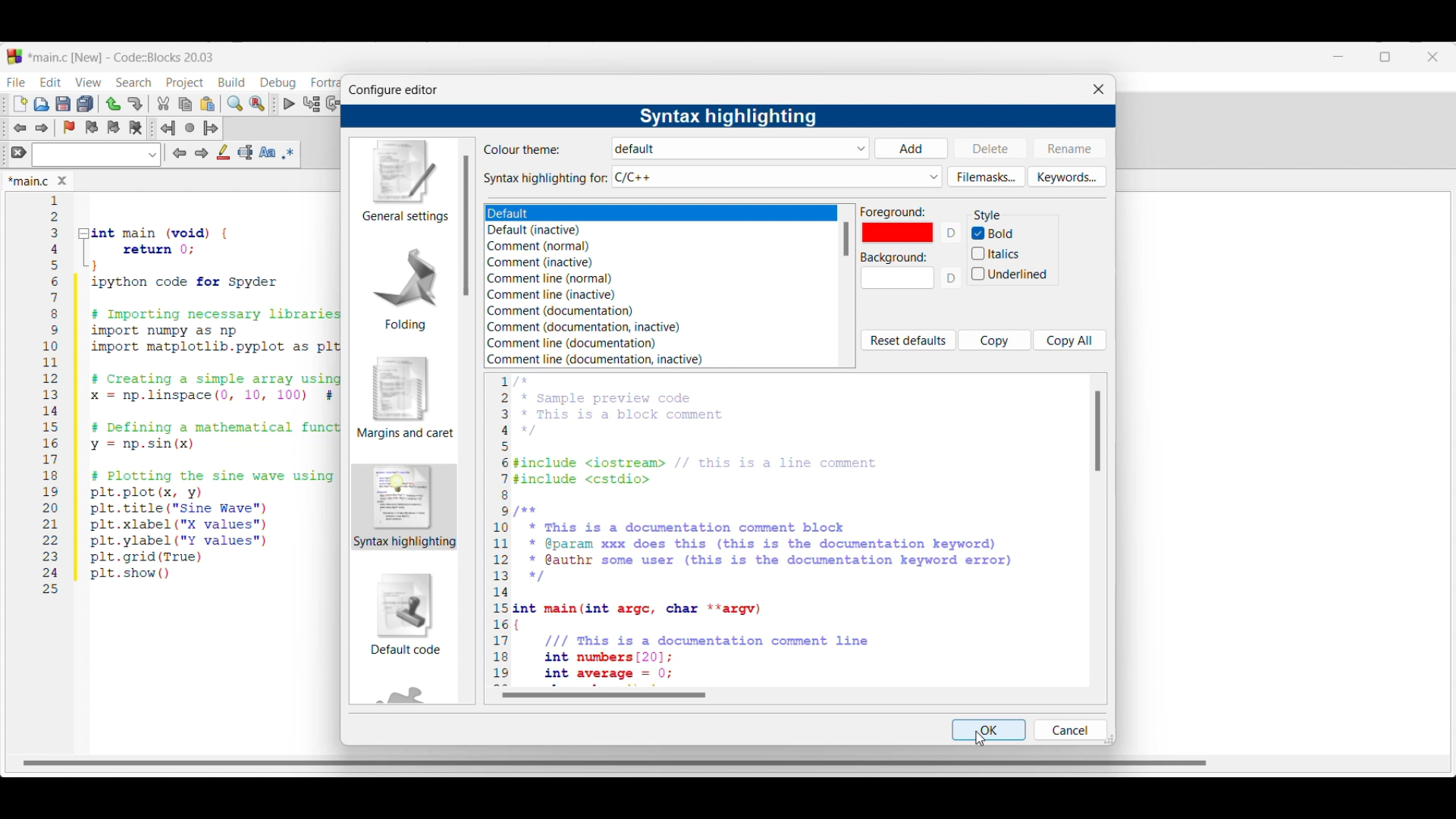 This screenshot has height=819, width=1456. I want to click on Comment (documentation, inactive), so click(595, 328).